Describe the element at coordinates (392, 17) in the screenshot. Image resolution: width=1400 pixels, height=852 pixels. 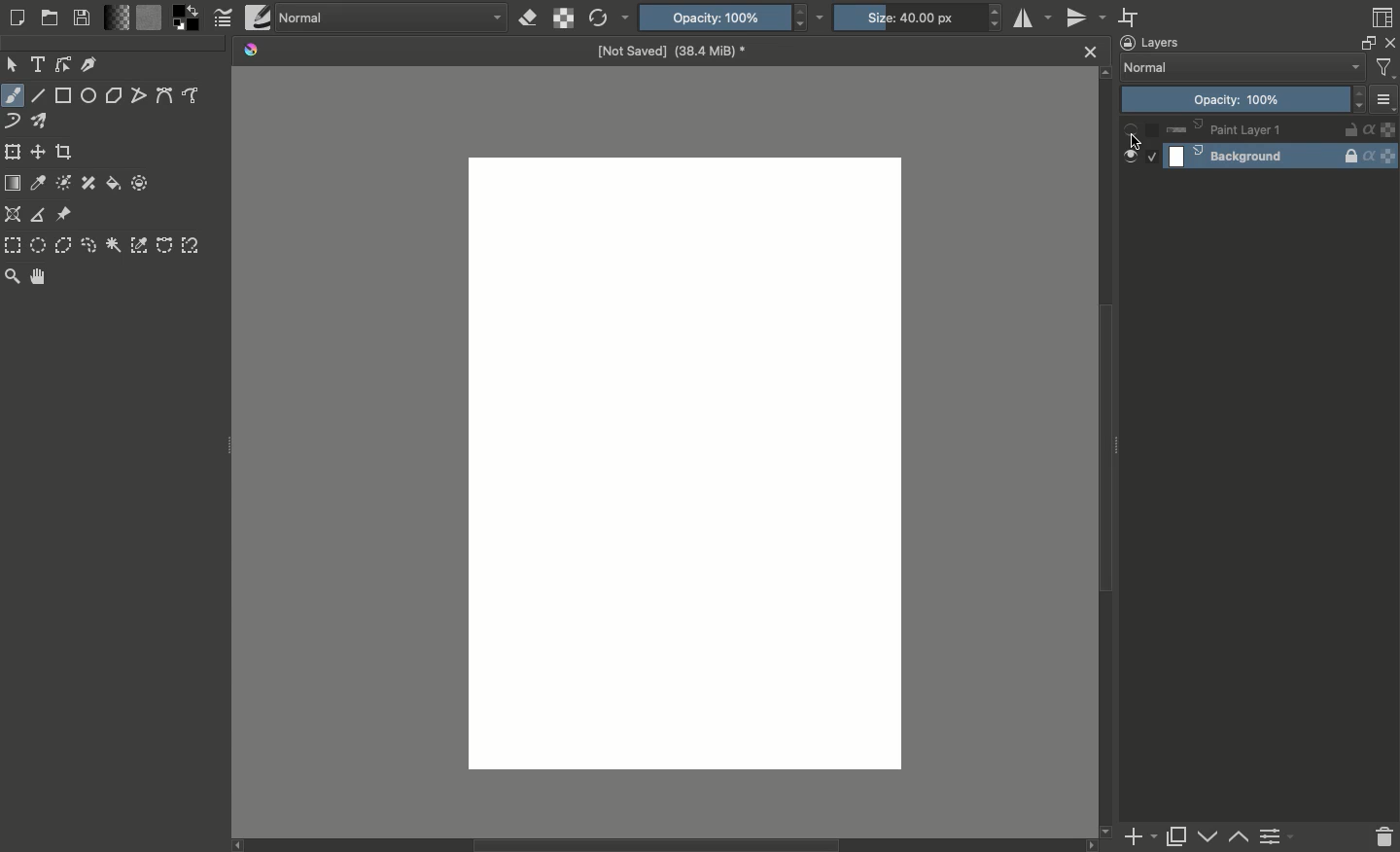
I see `Normal` at that location.